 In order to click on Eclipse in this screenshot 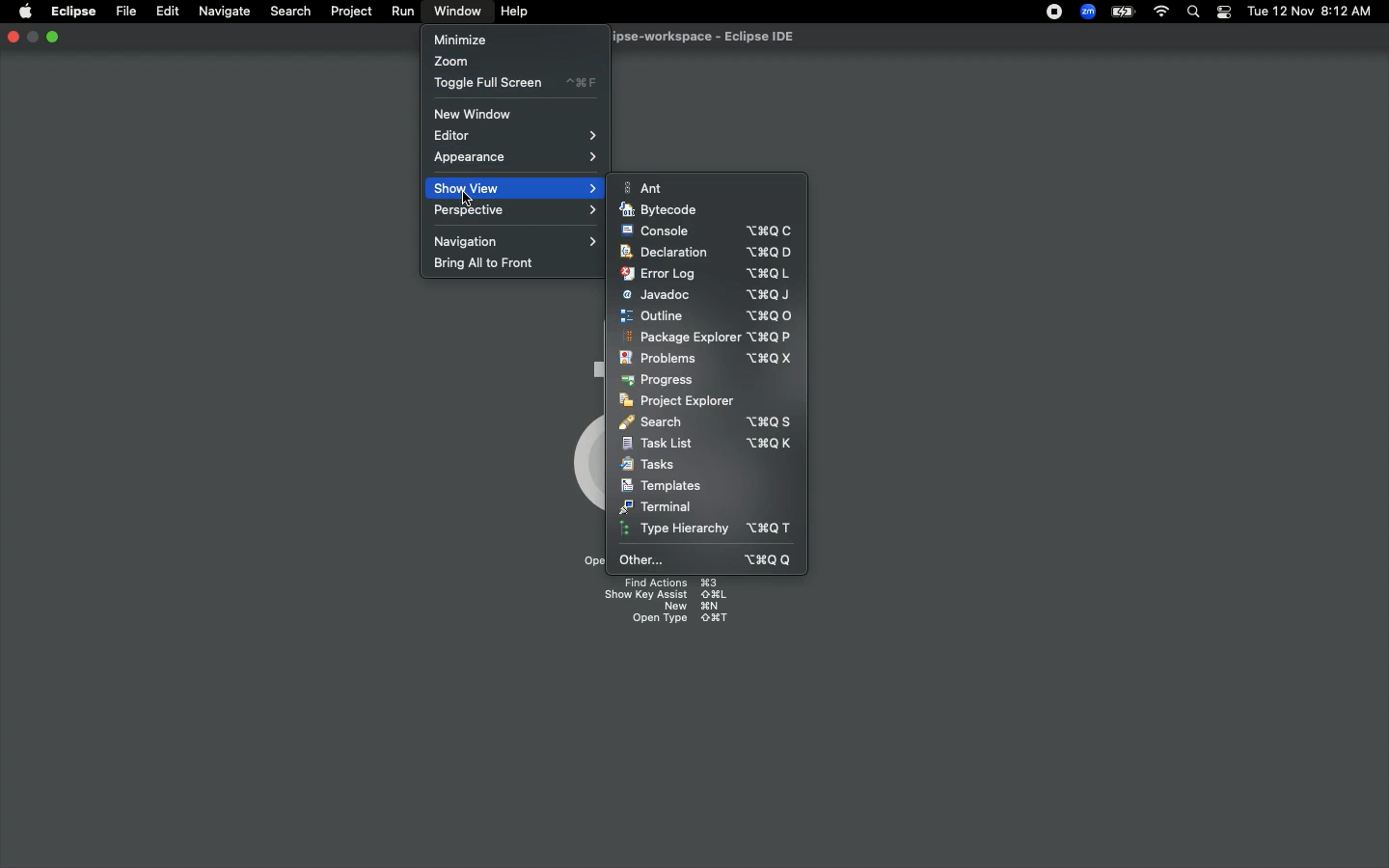, I will do `click(73, 13)`.